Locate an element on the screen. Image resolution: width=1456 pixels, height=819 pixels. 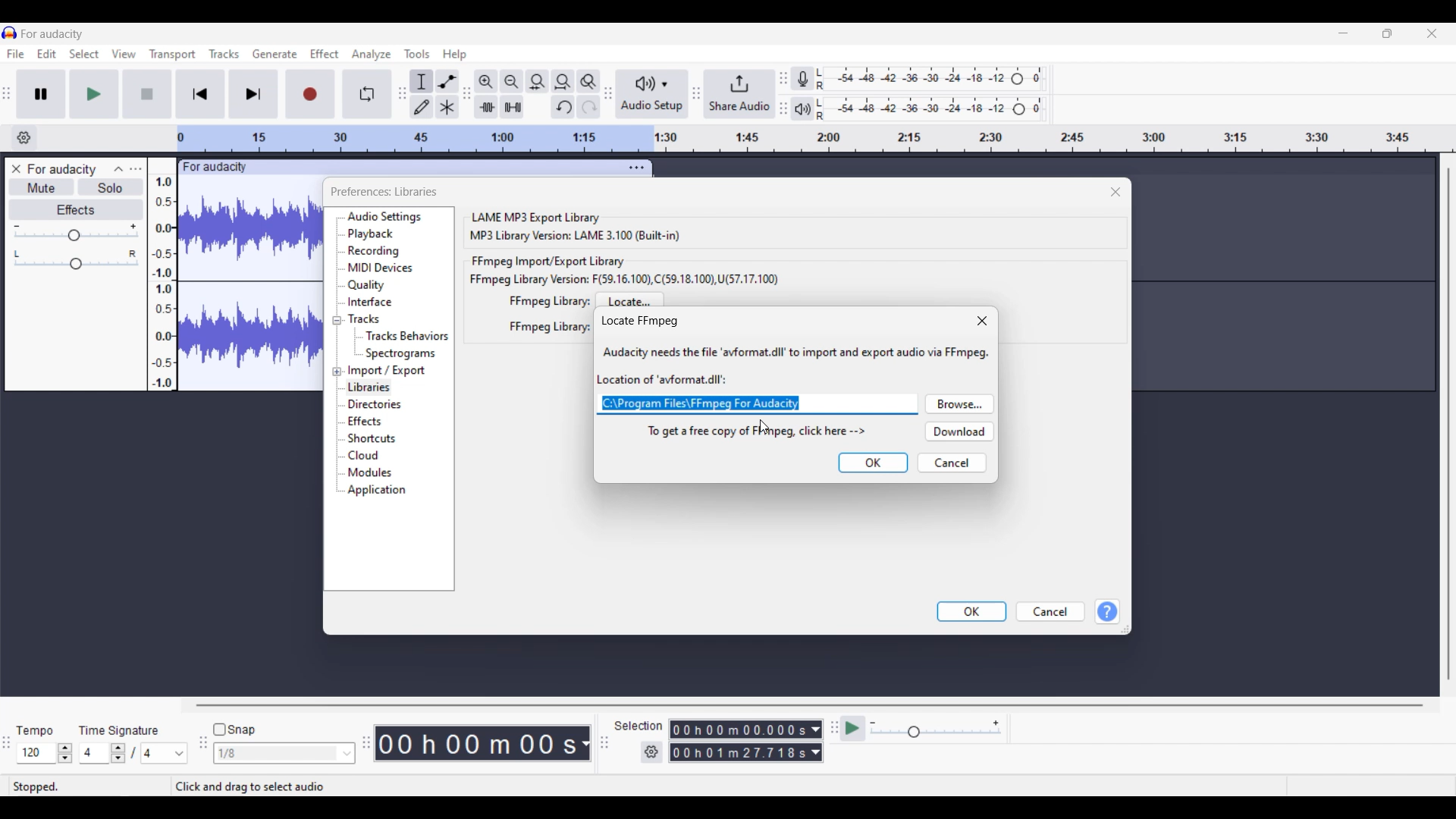
Modules is located at coordinates (373, 472).